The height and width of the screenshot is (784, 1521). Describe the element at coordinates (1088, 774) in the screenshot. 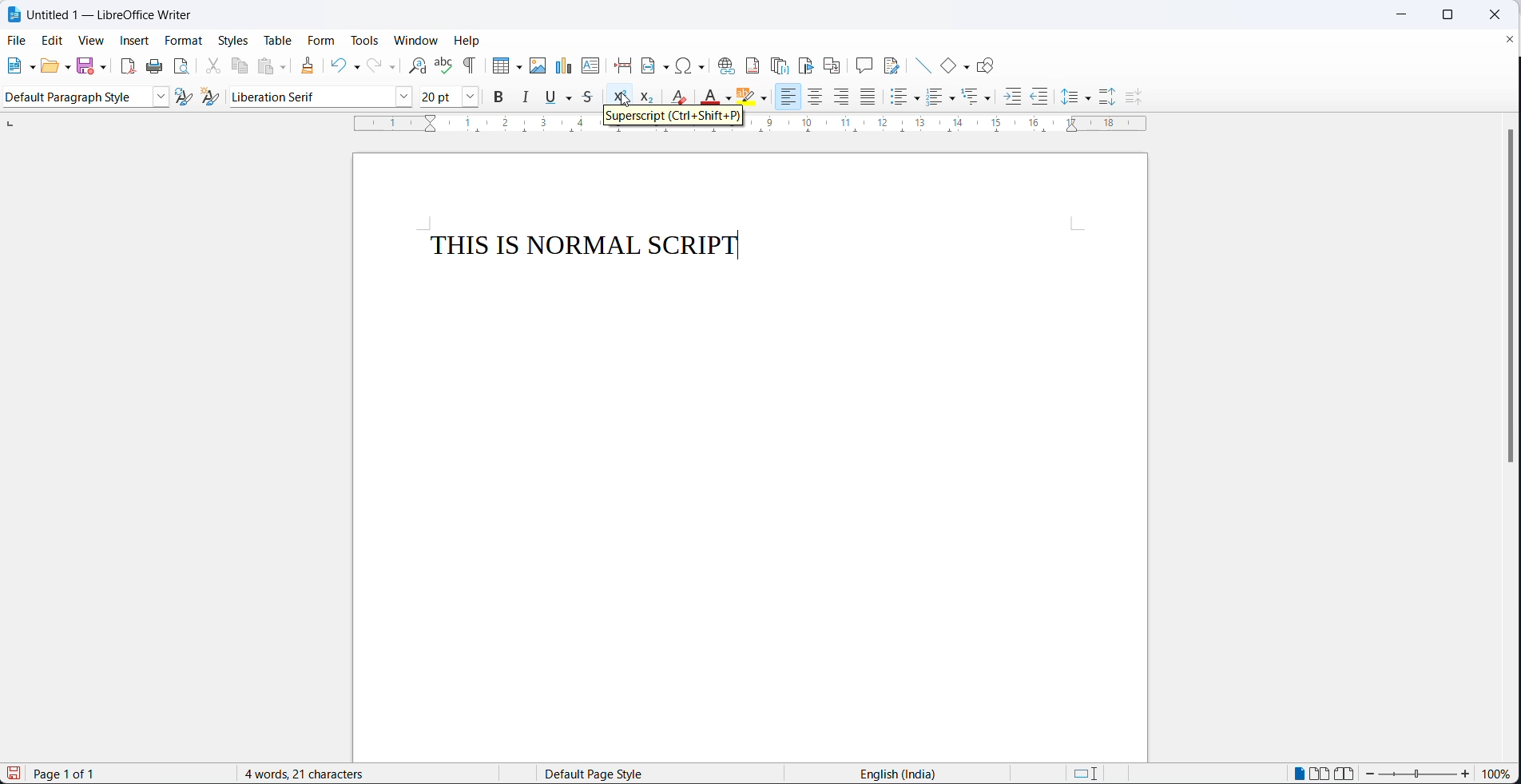

I see `standard selection` at that location.